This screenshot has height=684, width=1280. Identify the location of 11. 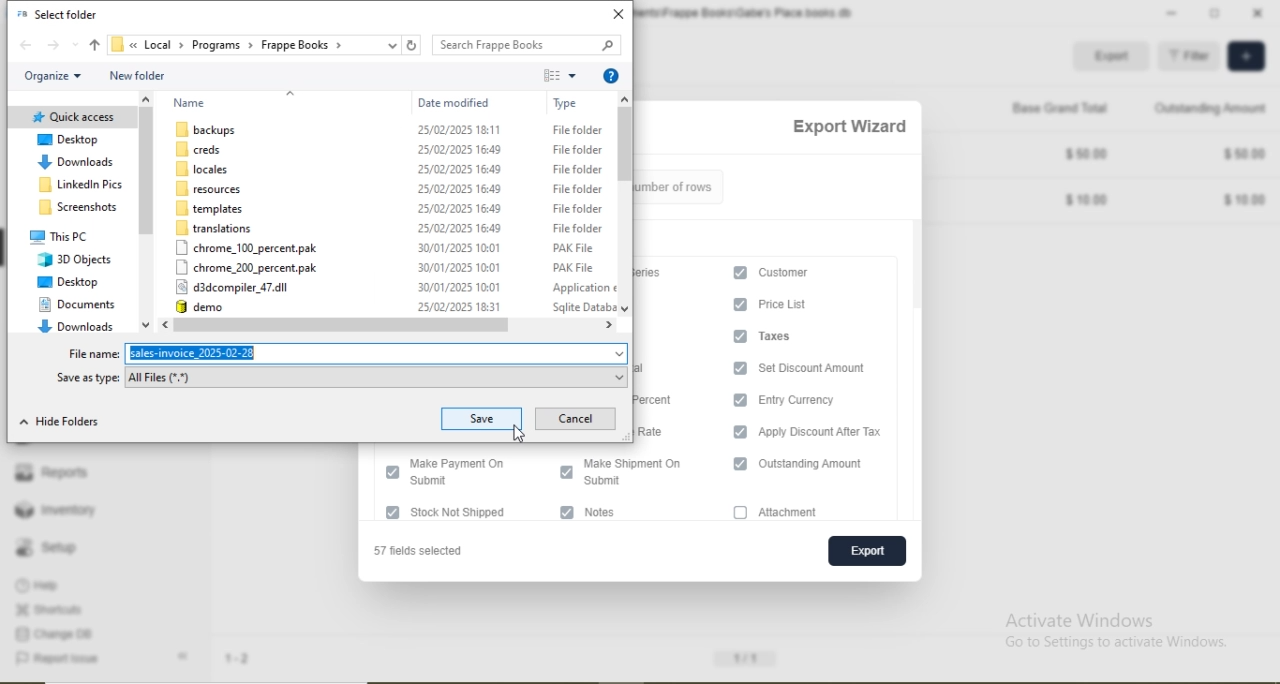
(747, 656).